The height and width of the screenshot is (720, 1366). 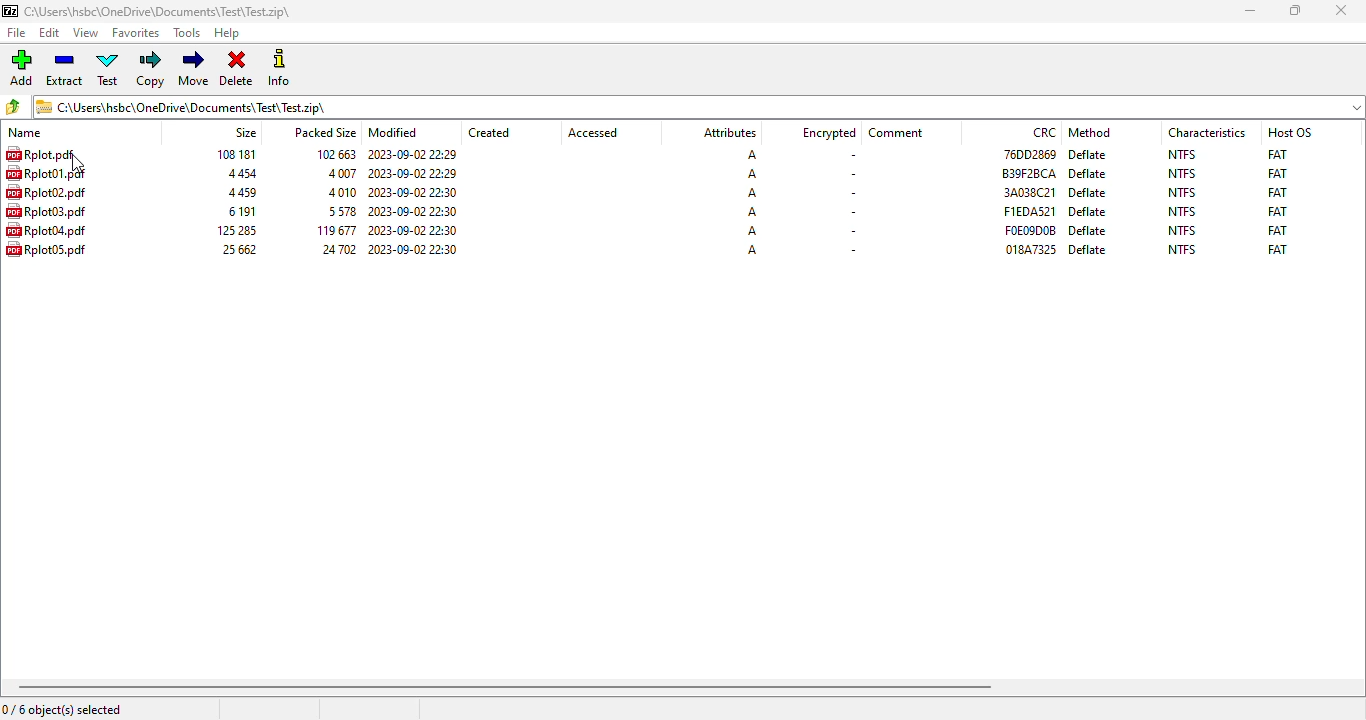 I want to click on FAT, so click(x=1277, y=173).